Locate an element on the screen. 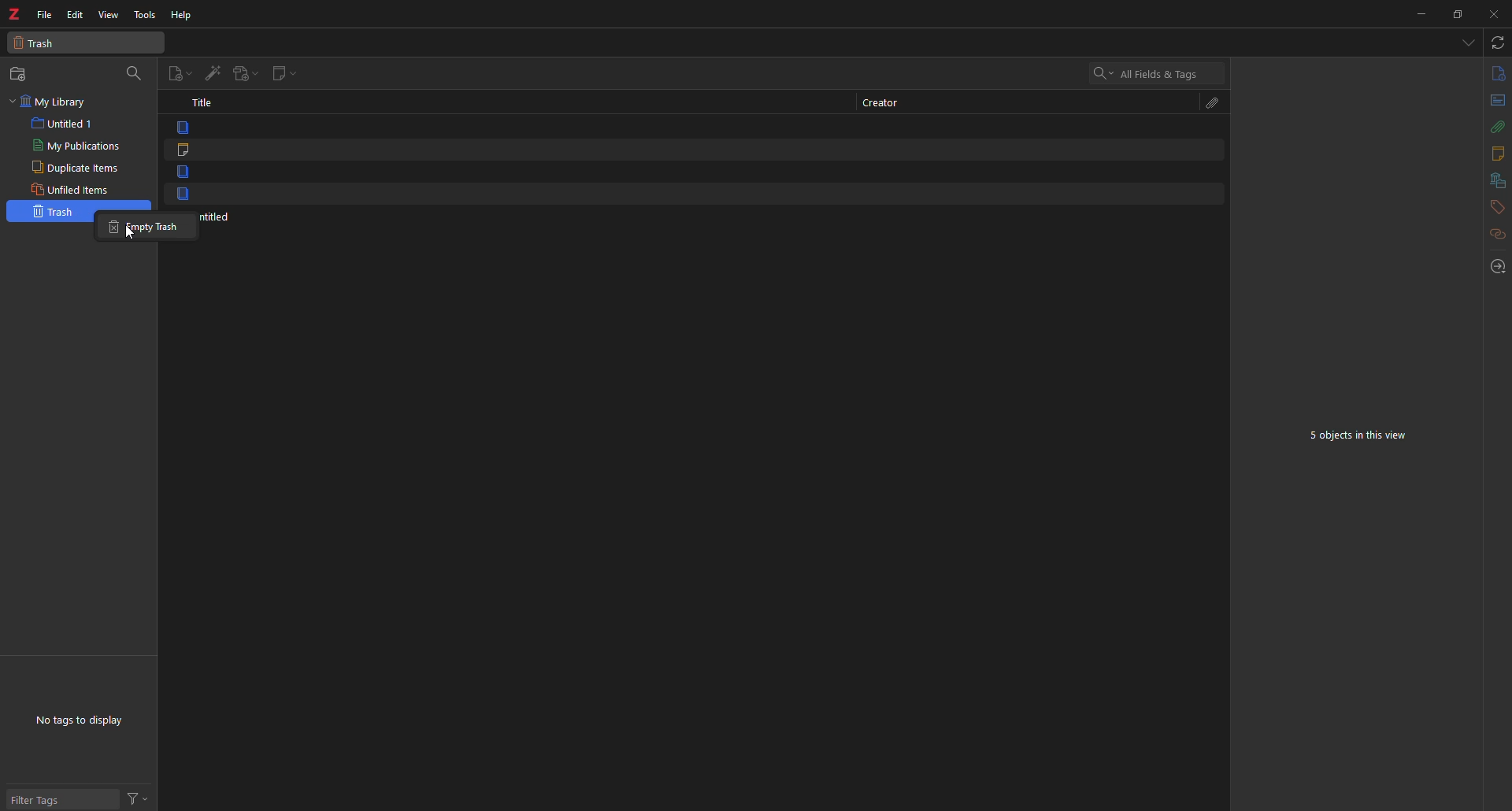  add item is located at coordinates (212, 72).